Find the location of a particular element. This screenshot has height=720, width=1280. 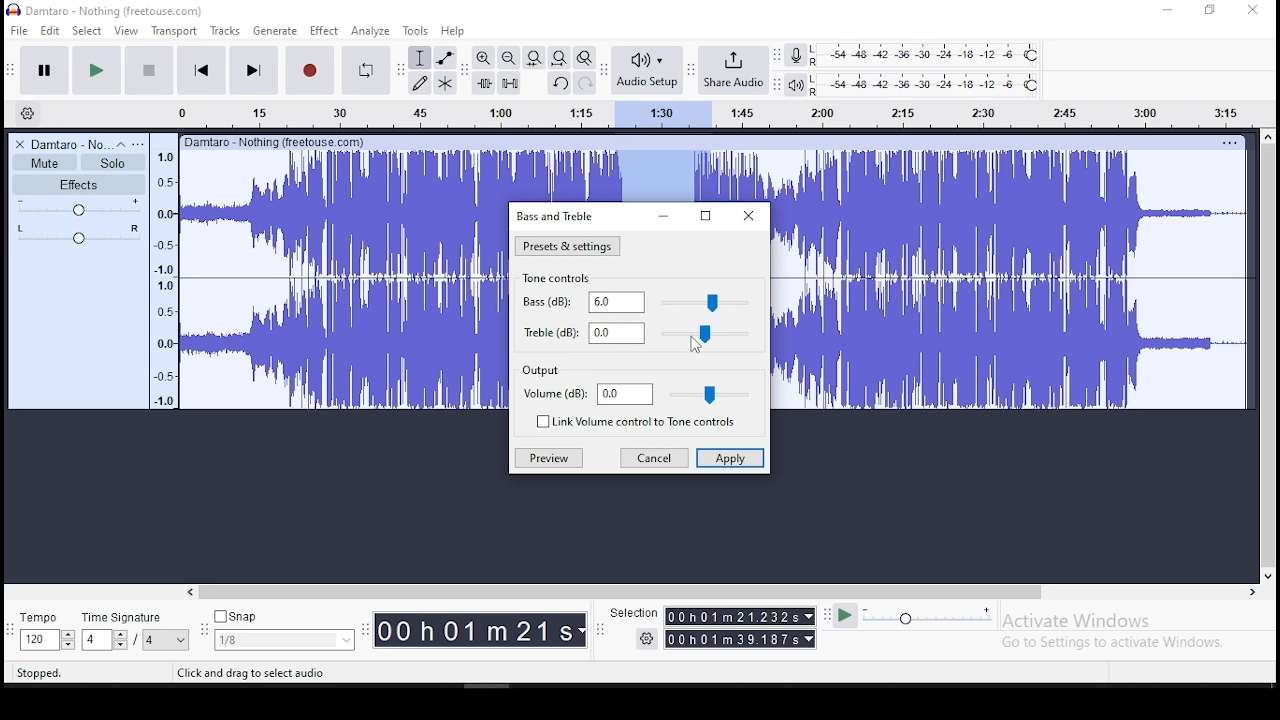

multi tool is located at coordinates (445, 82).